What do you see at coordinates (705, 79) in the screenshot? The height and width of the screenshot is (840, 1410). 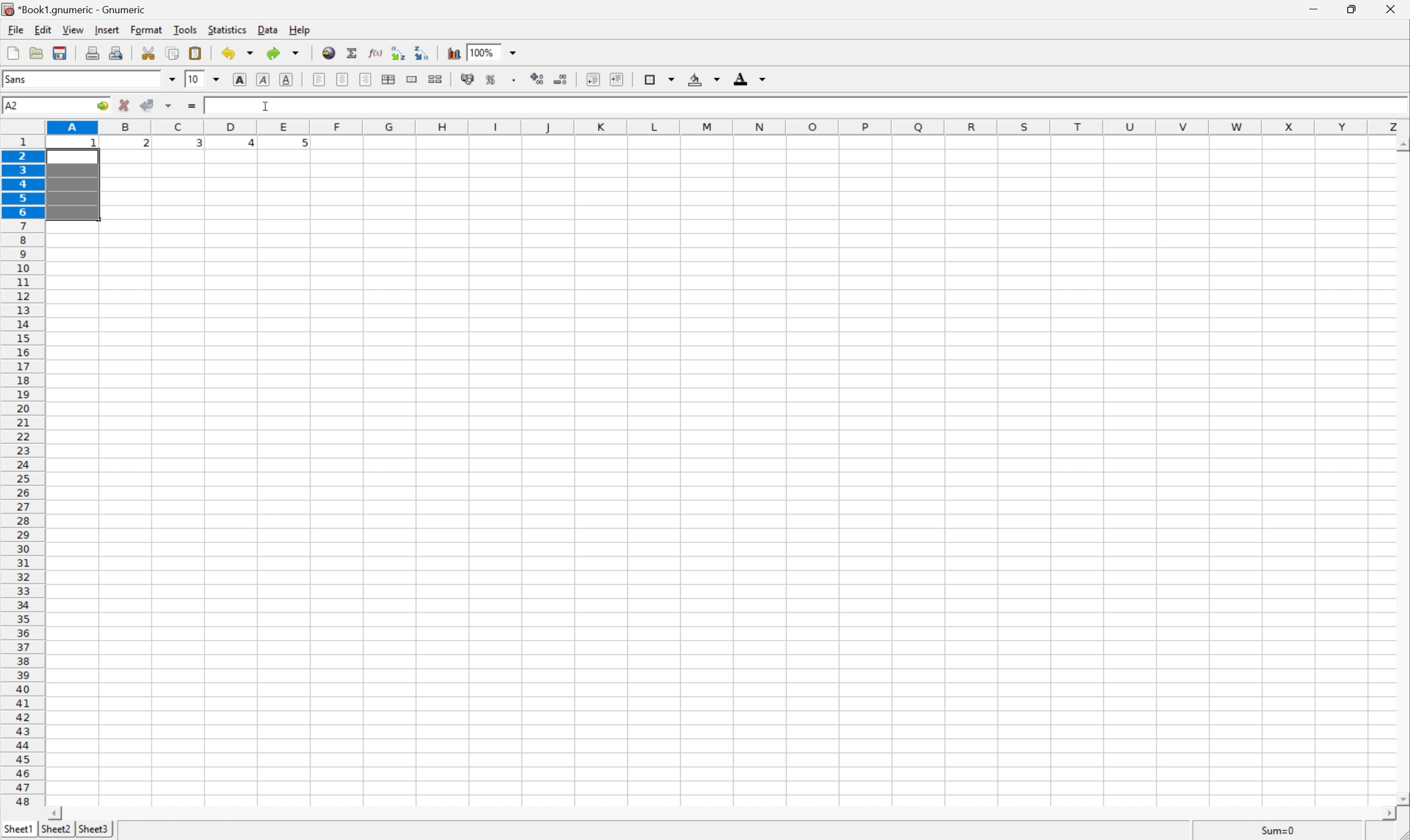 I see `background` at bounding box center [705, 79].